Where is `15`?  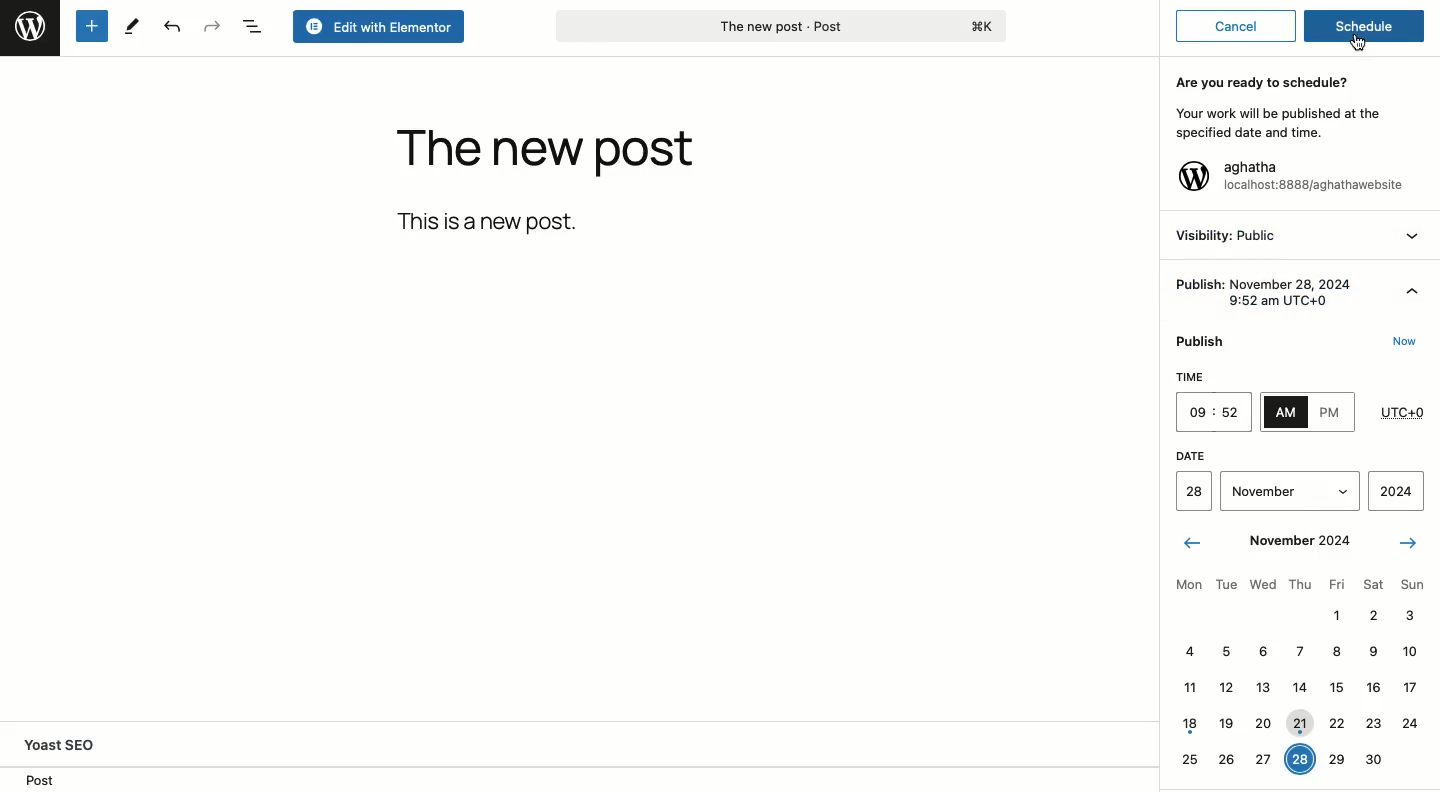
15 is located at coordinates (1334, 686).